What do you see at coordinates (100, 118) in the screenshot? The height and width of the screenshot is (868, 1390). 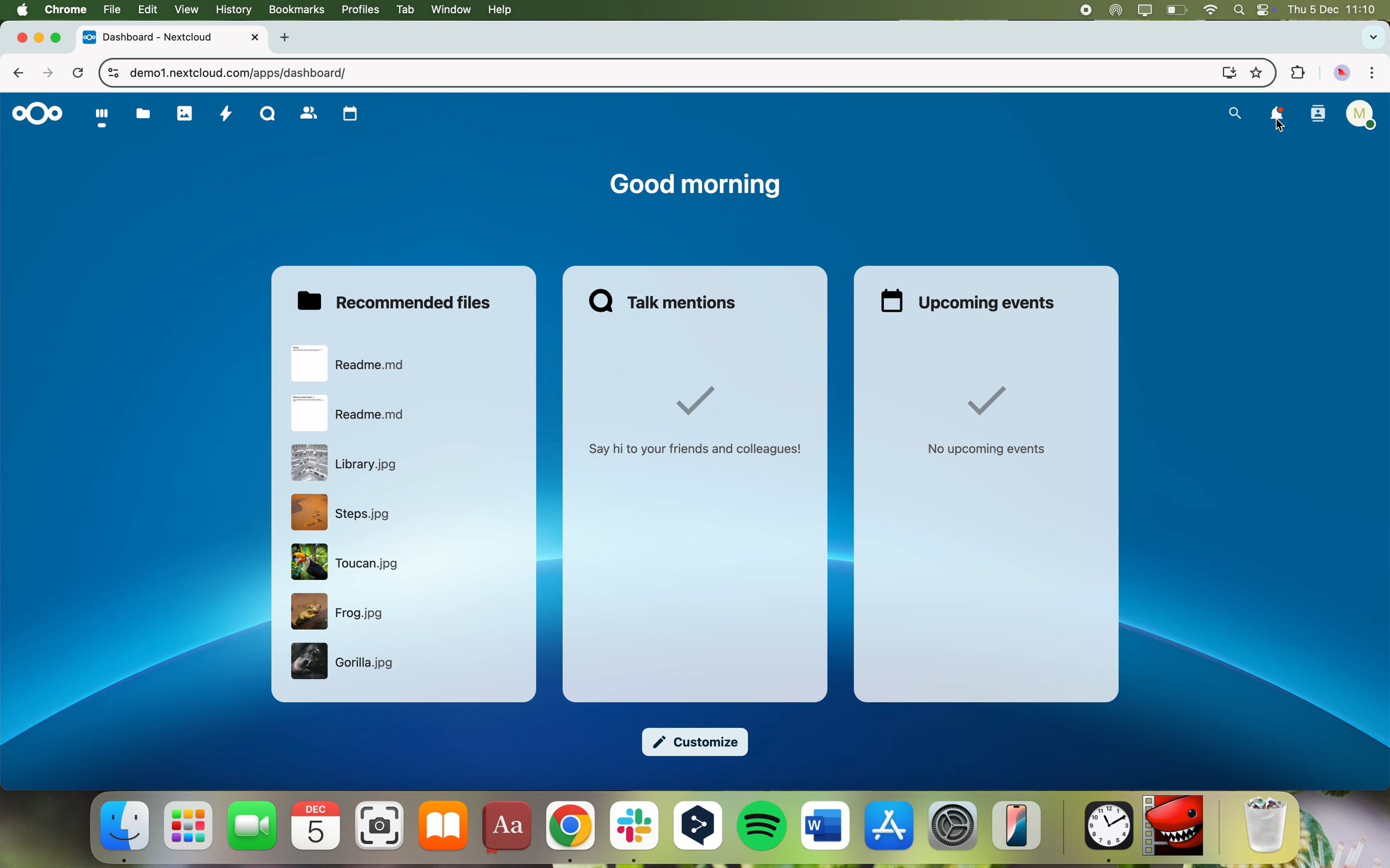 I see `dashboard` at bounding box center [100, 118].